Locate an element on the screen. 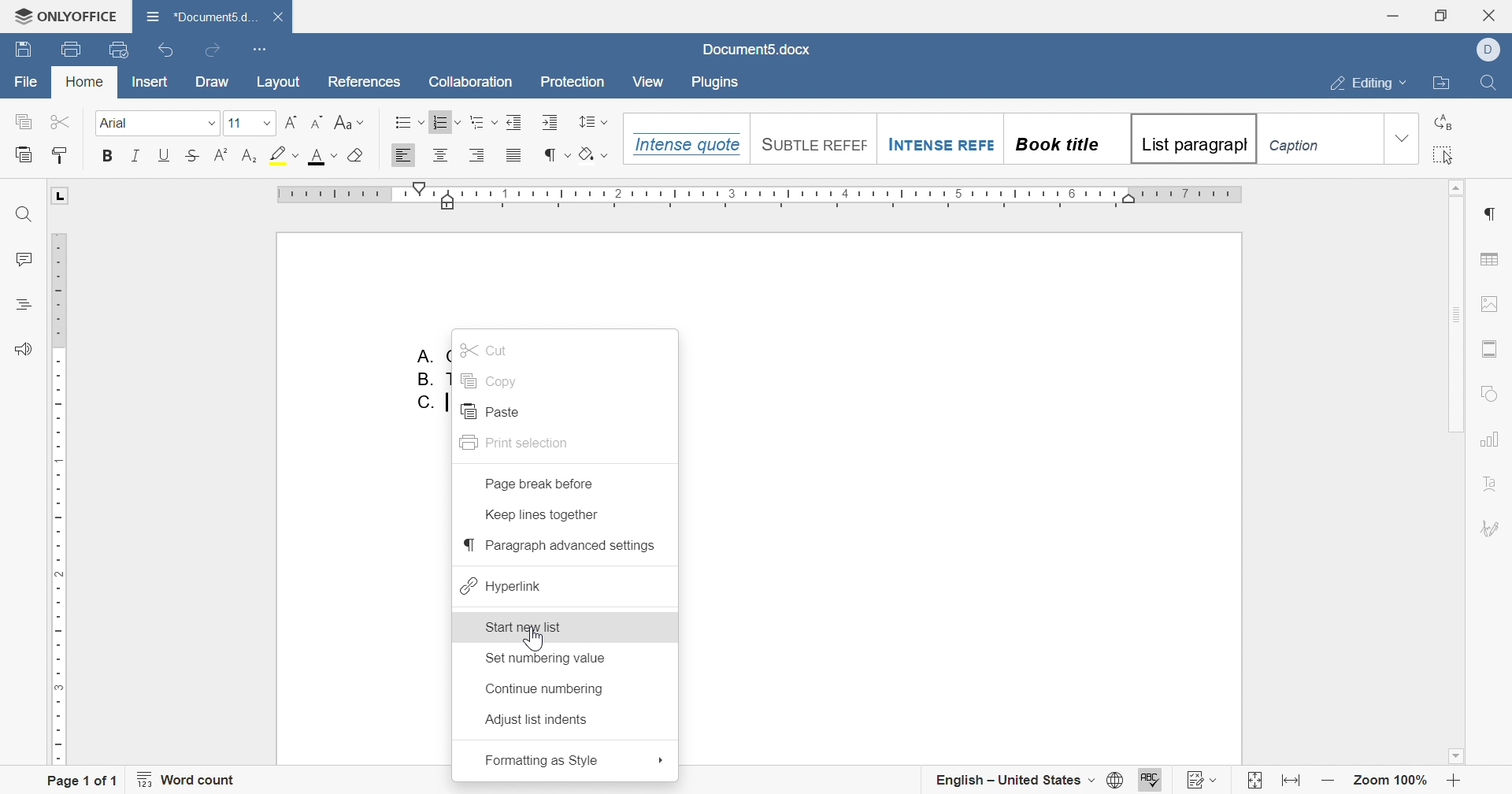 The image size is (1512, 794). chart settings is located at coordinates (1491, 439).